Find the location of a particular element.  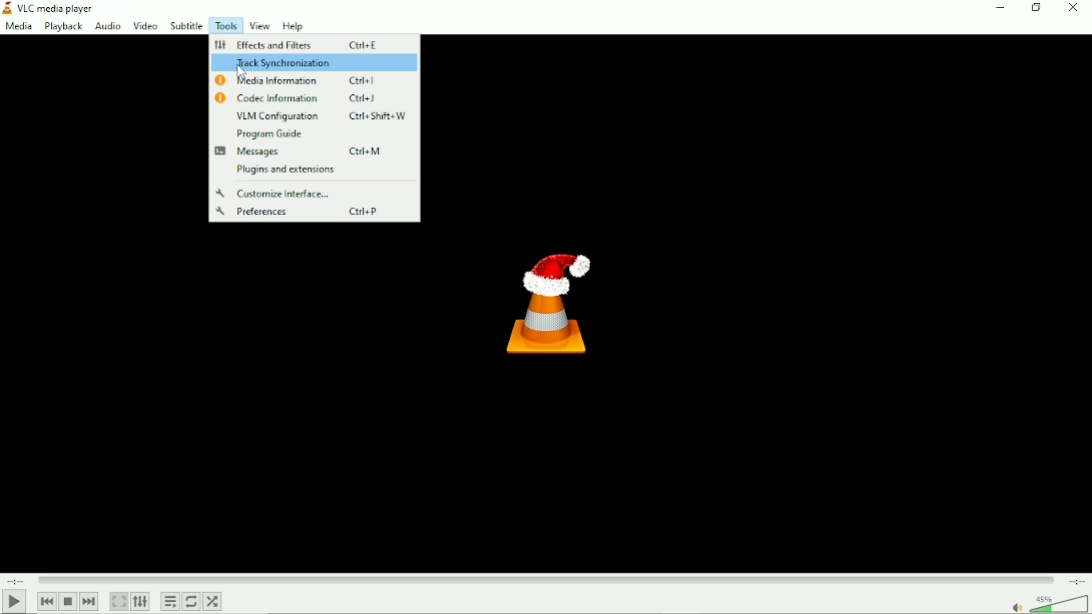

VLM Configuration is located at coordinates (314, 116).